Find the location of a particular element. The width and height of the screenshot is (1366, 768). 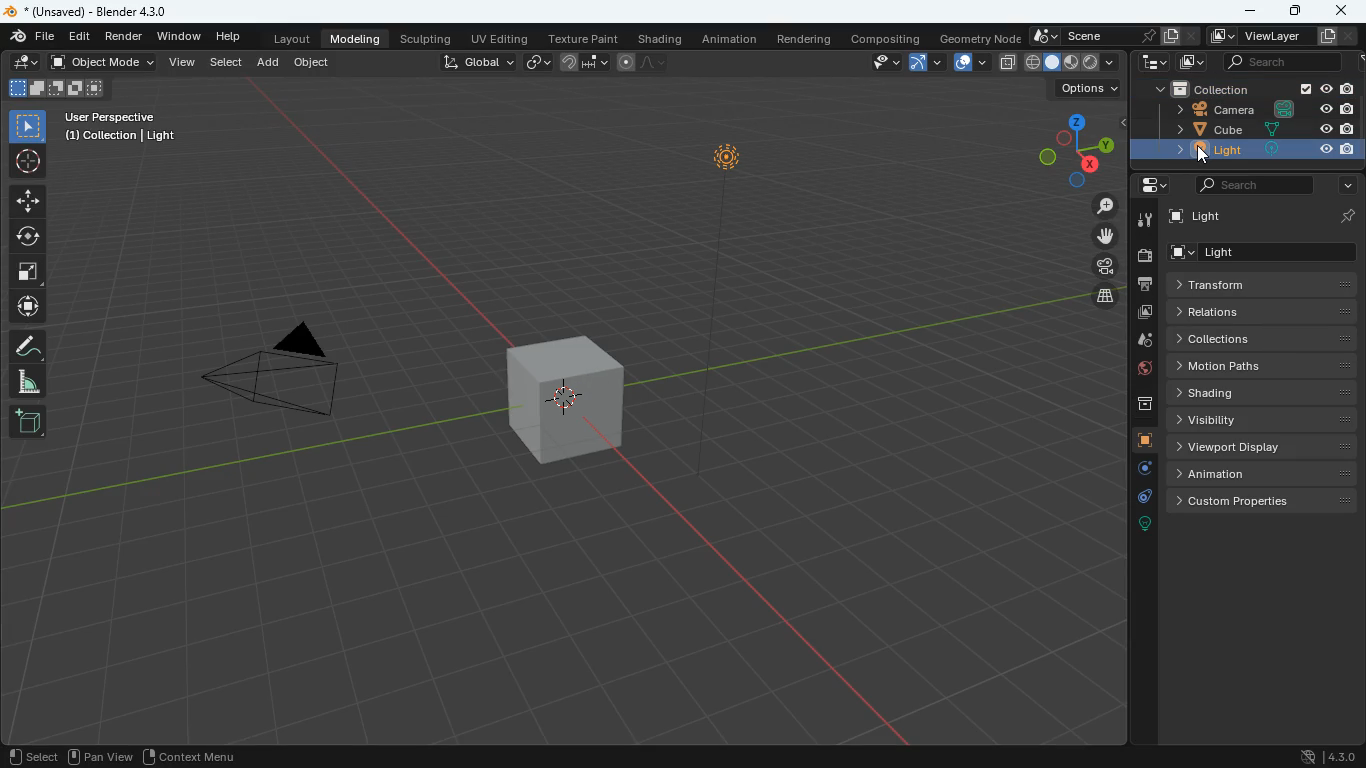

aim is located at coordinates (29, 163).